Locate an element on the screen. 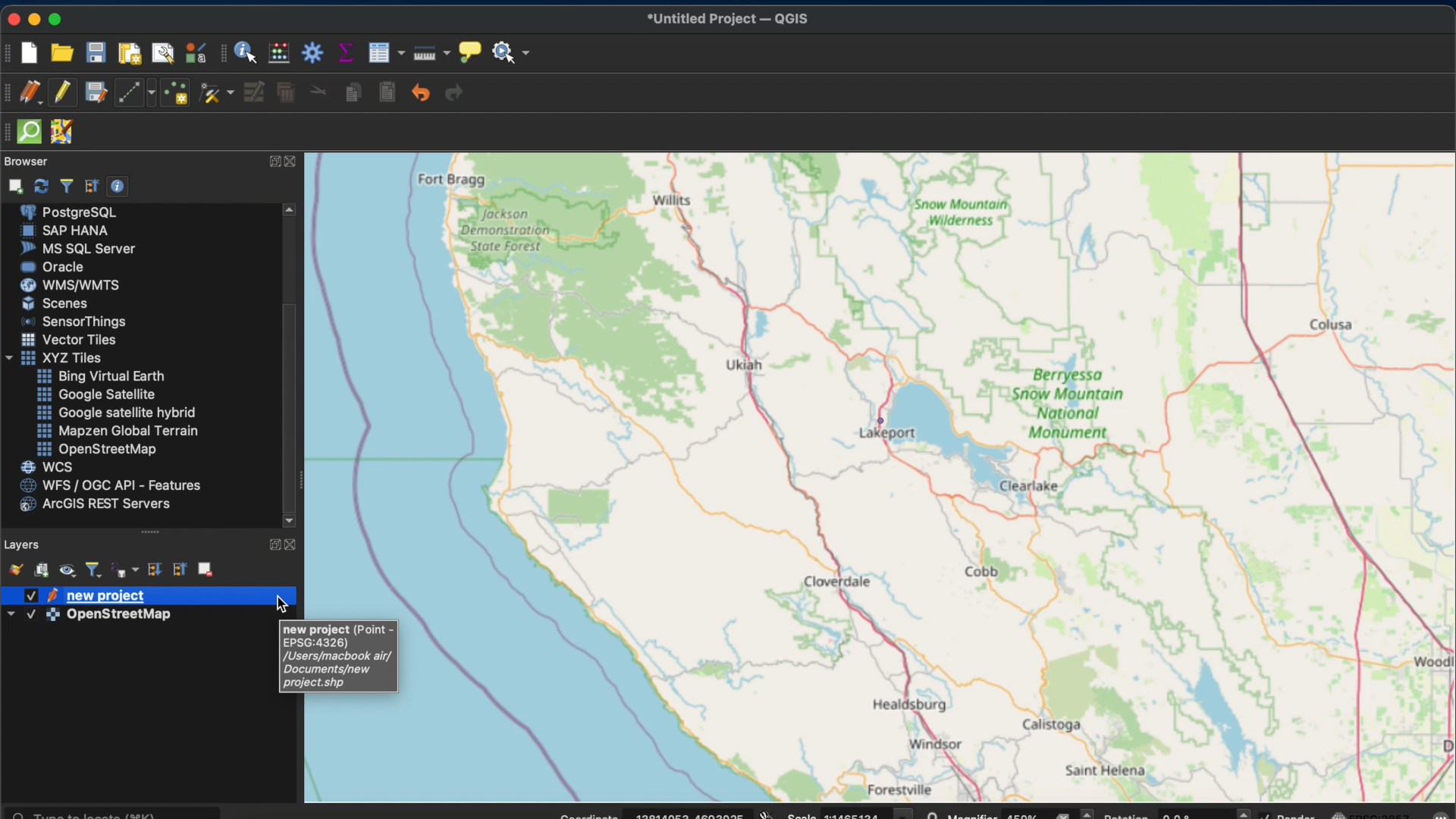 The image size is (1456, 819). expand is located at coordinates (272, 544).